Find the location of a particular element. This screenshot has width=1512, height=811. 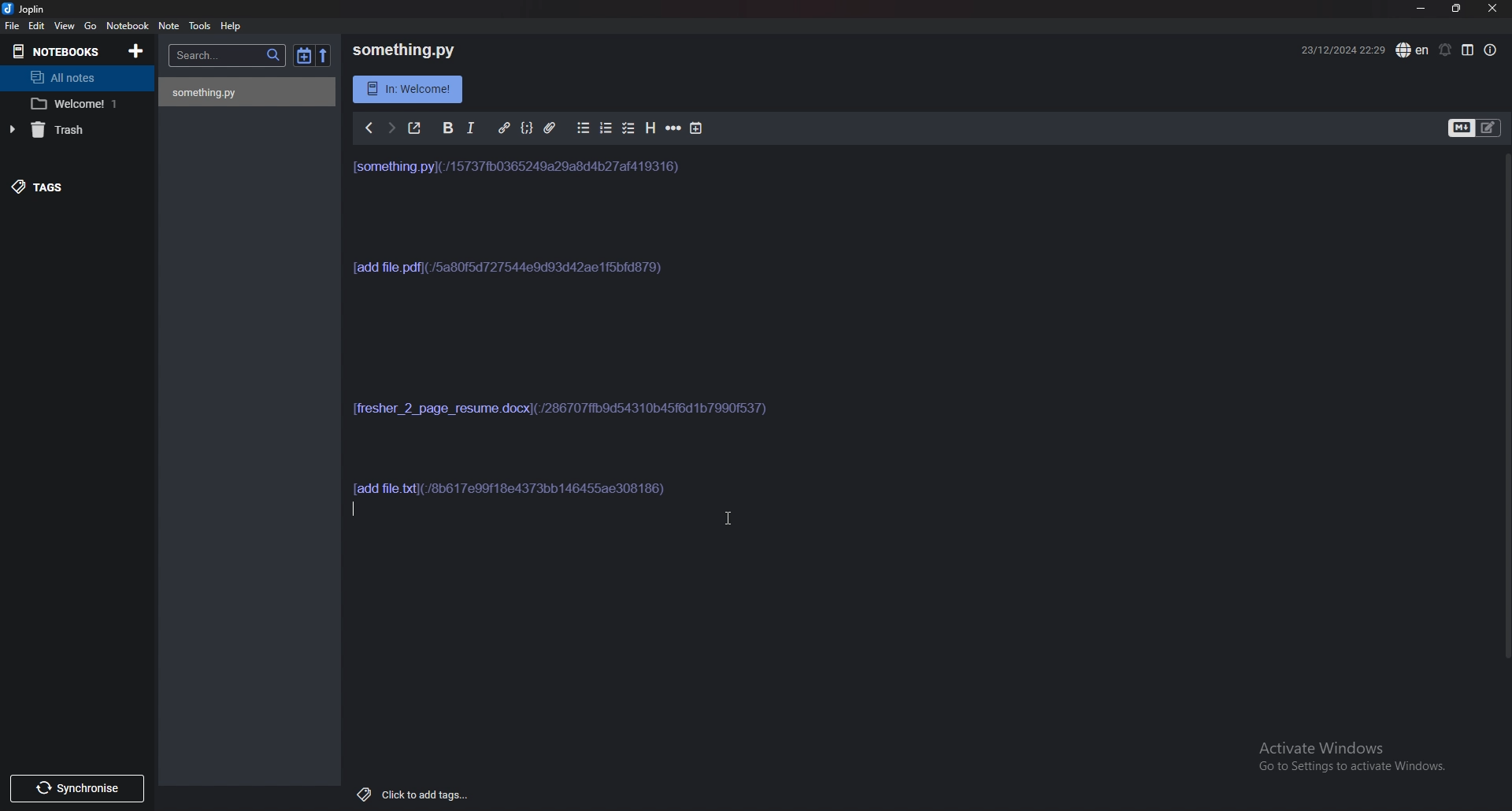

Help is located at coordinates (232, 25).